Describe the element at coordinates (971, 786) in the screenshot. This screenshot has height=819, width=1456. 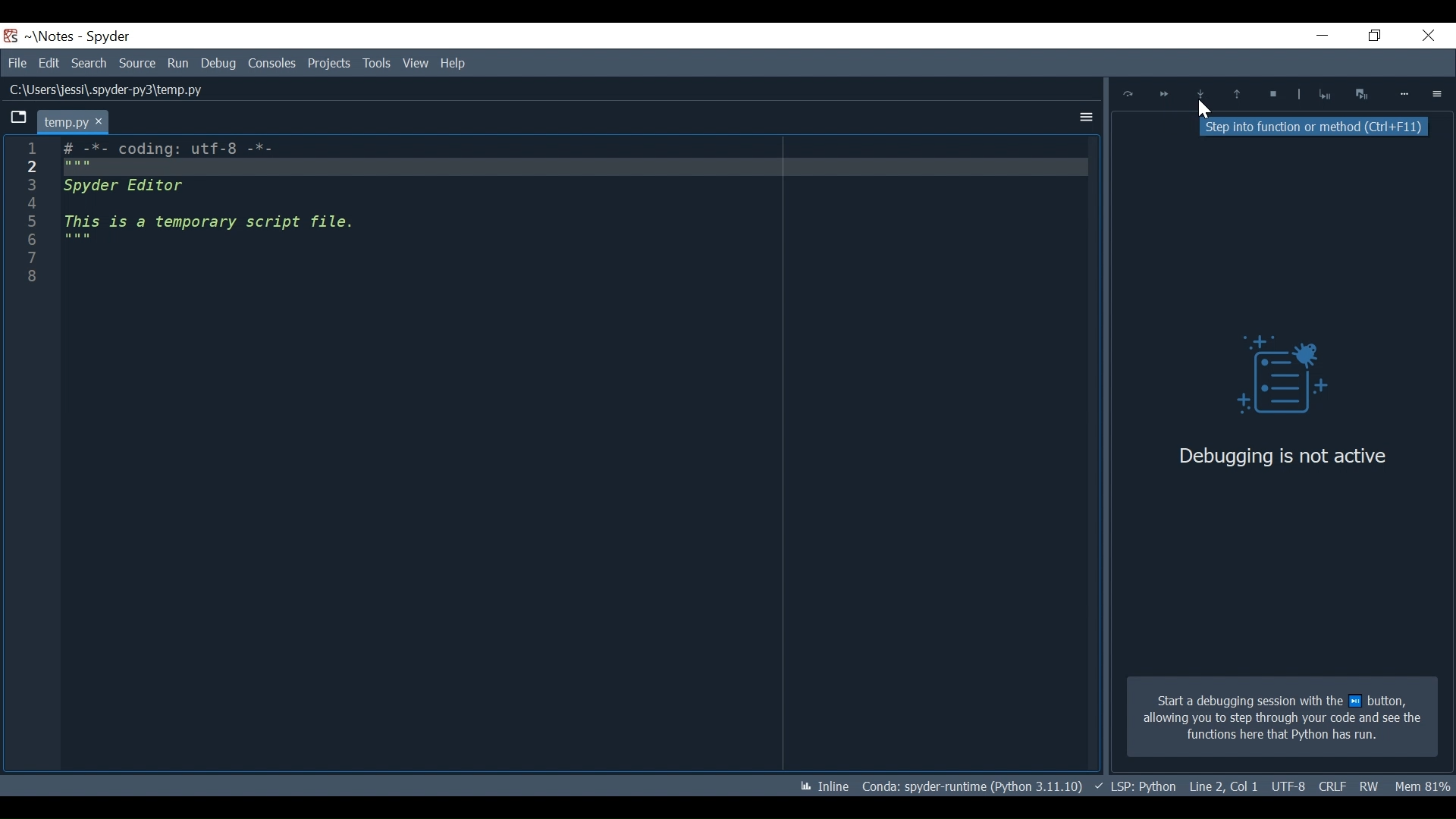
I see `Conda Environment Indicator` at that location.